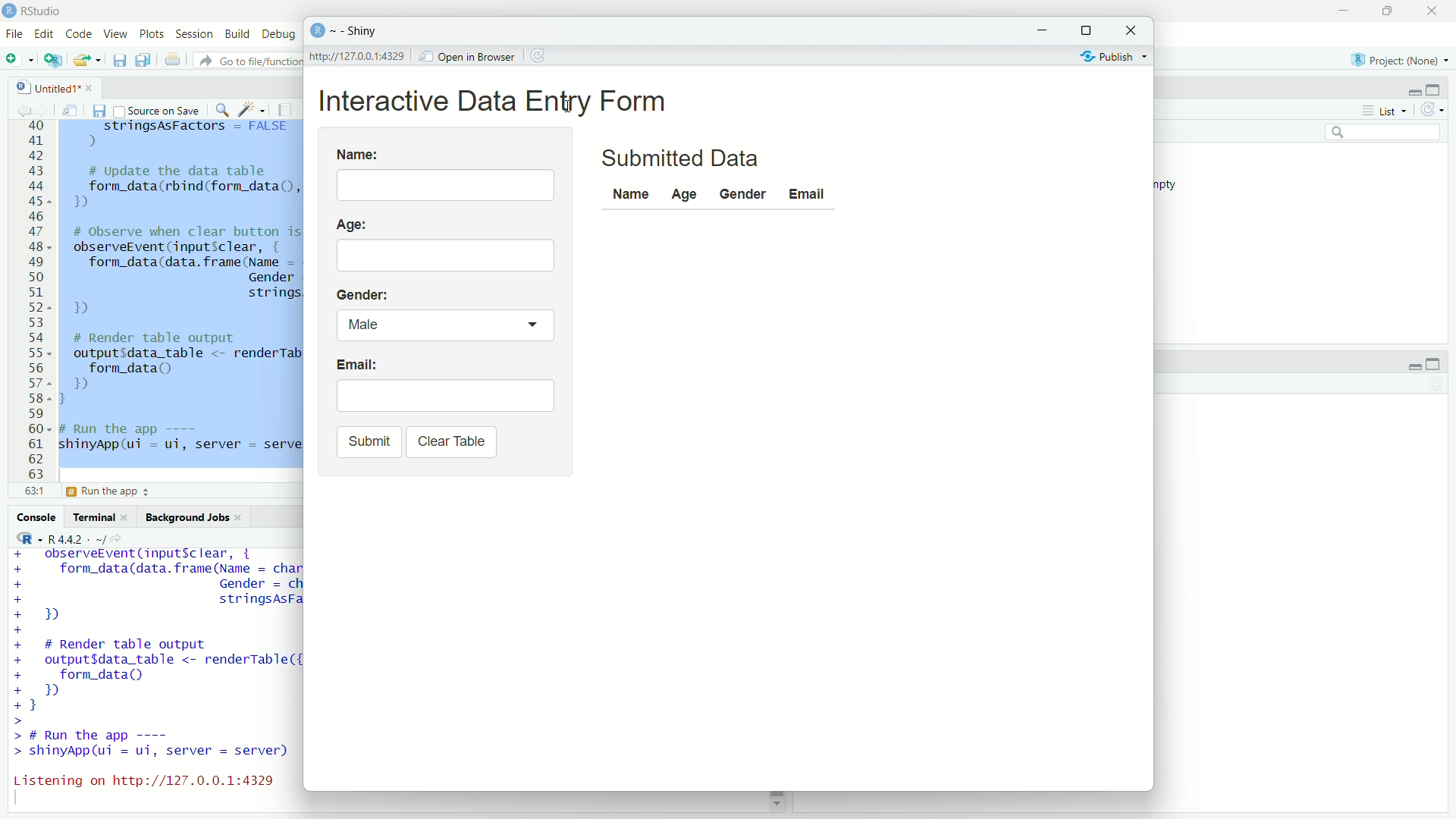 This screenshot has height=819, width=1456. I want to click on move down, so click(776, 804).